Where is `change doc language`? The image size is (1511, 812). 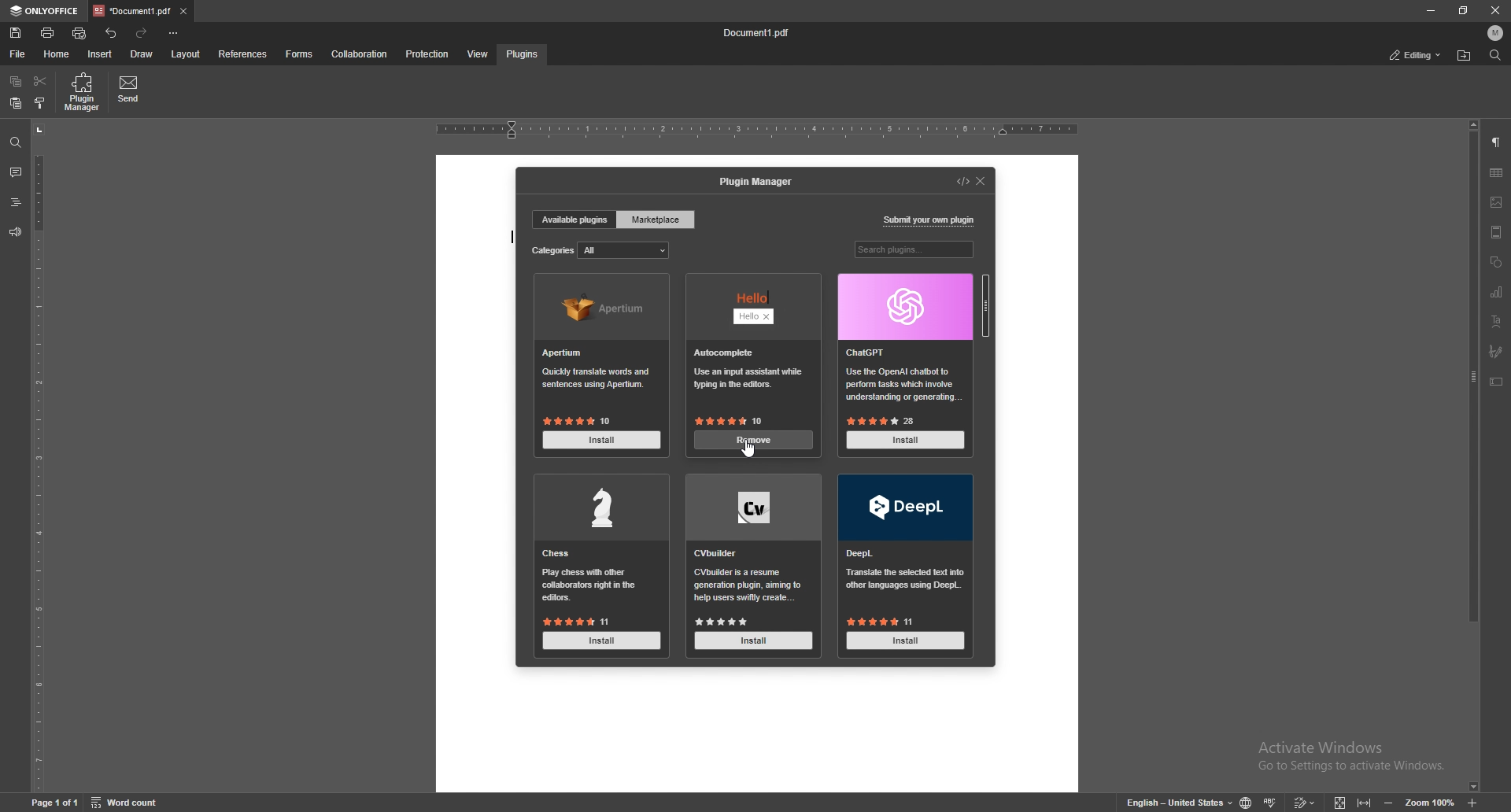
change doc language is located at coordinates (1246, 802).